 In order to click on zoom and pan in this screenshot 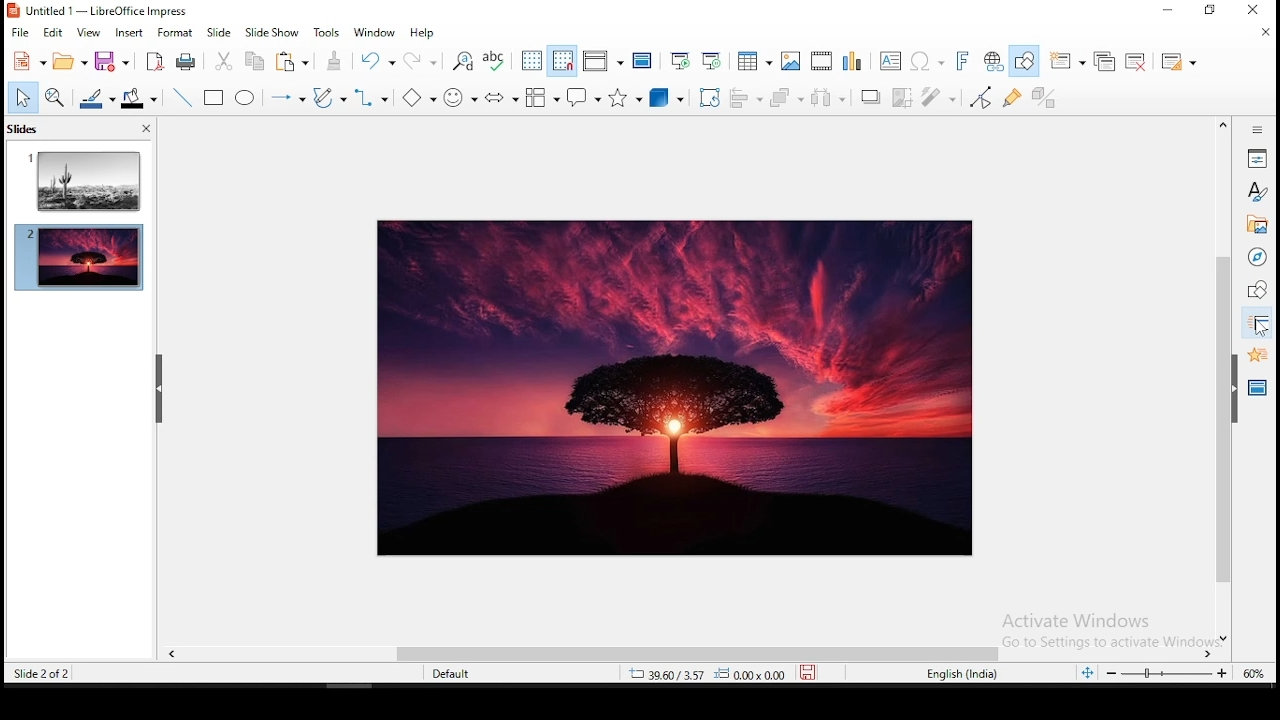, I will do `click(59, 99)`.